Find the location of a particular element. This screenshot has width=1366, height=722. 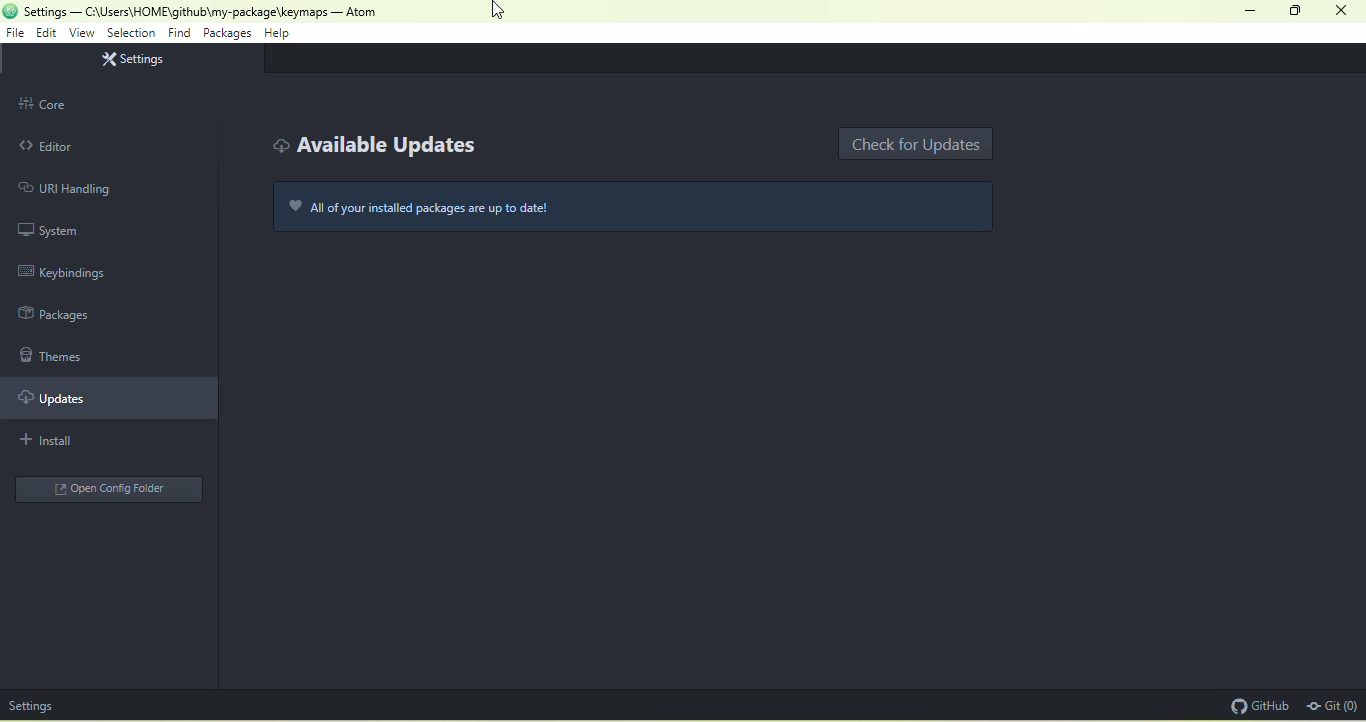

open config folder is located at coordinates (106, 489).